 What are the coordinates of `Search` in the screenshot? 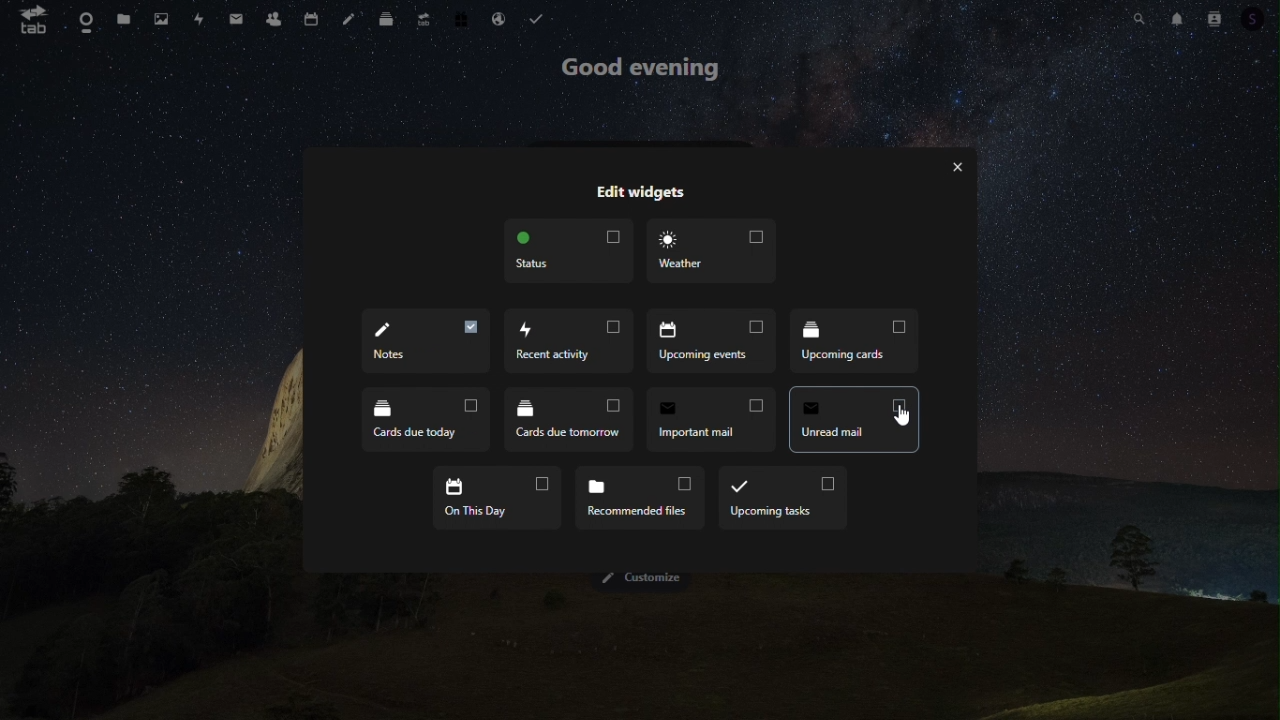 It's located at (1139, 17).